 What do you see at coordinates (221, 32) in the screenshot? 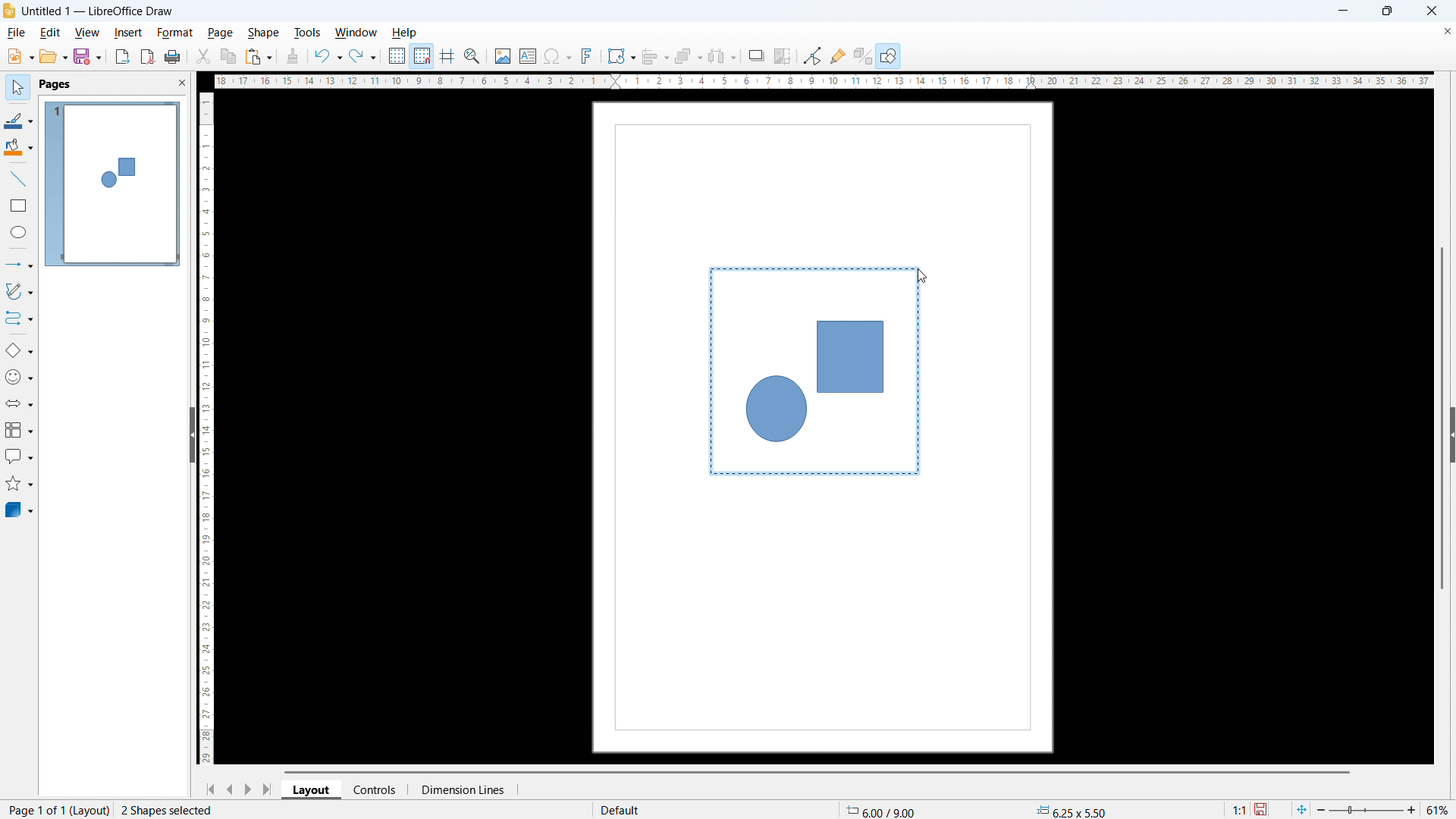
I see `page` at bounding box center [221, 32].